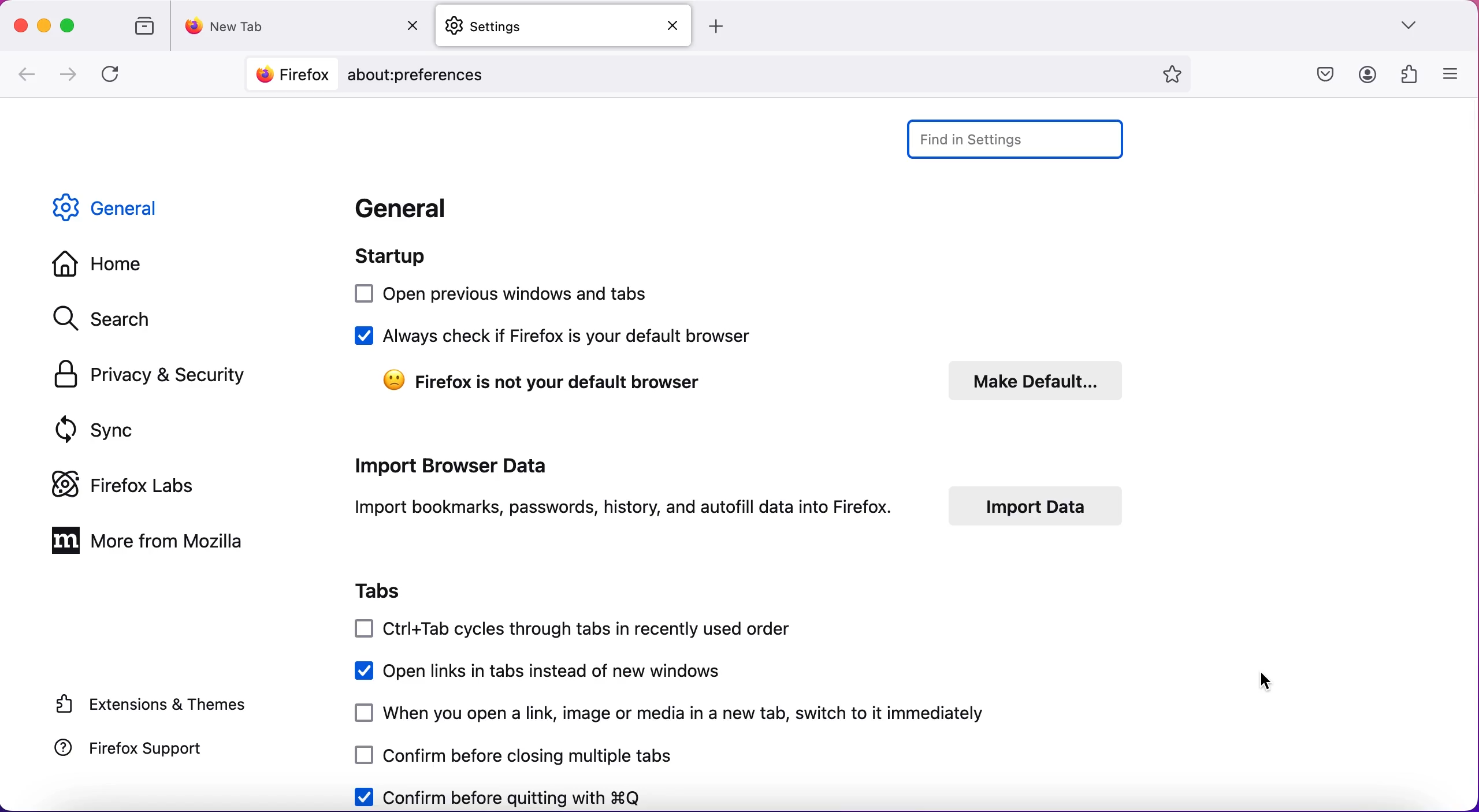  I want to click on general, so click(404, 209).